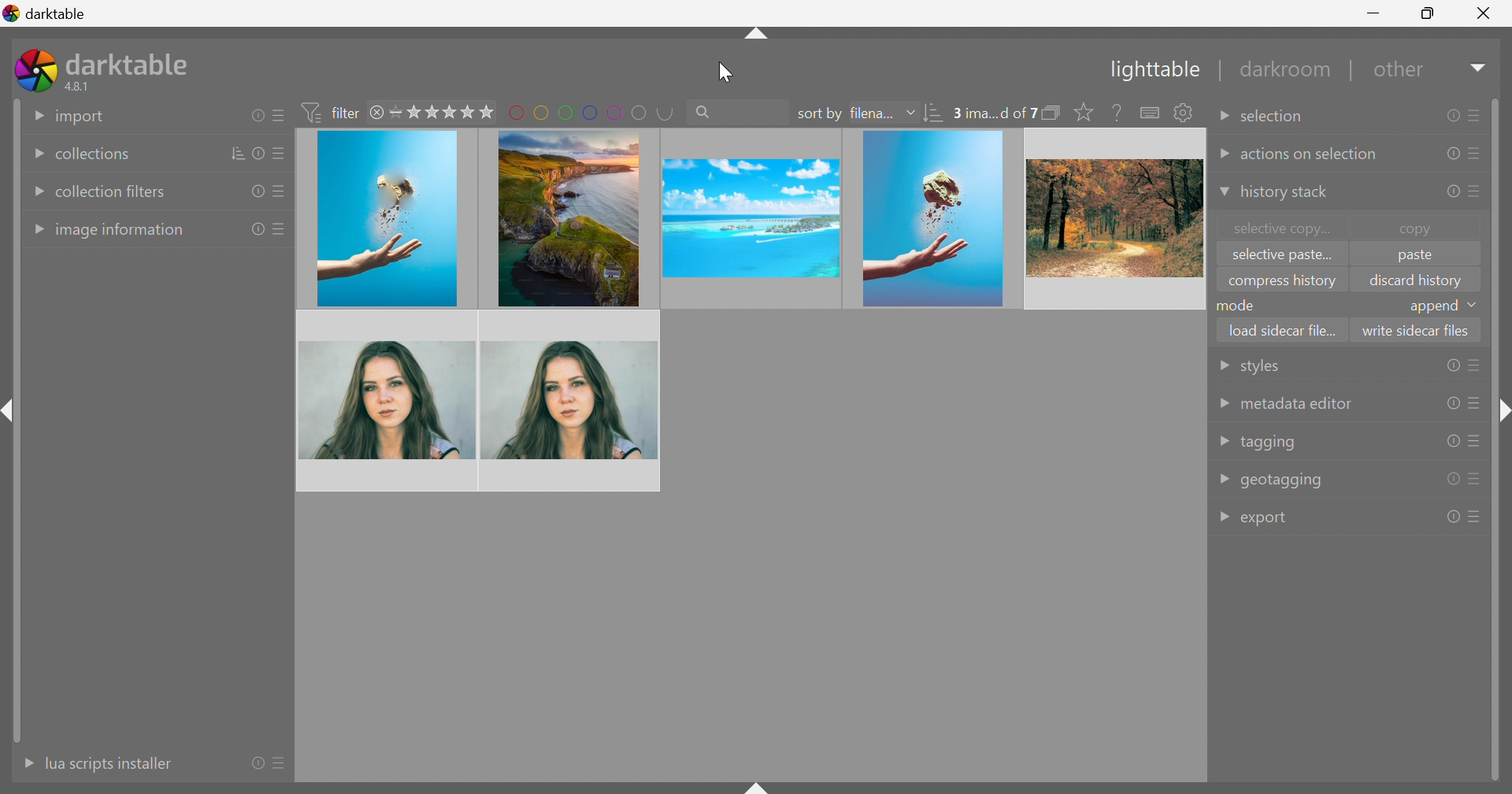 This screenshot has height=794, width=1512. I want to click on range rating, so click(443, 112).